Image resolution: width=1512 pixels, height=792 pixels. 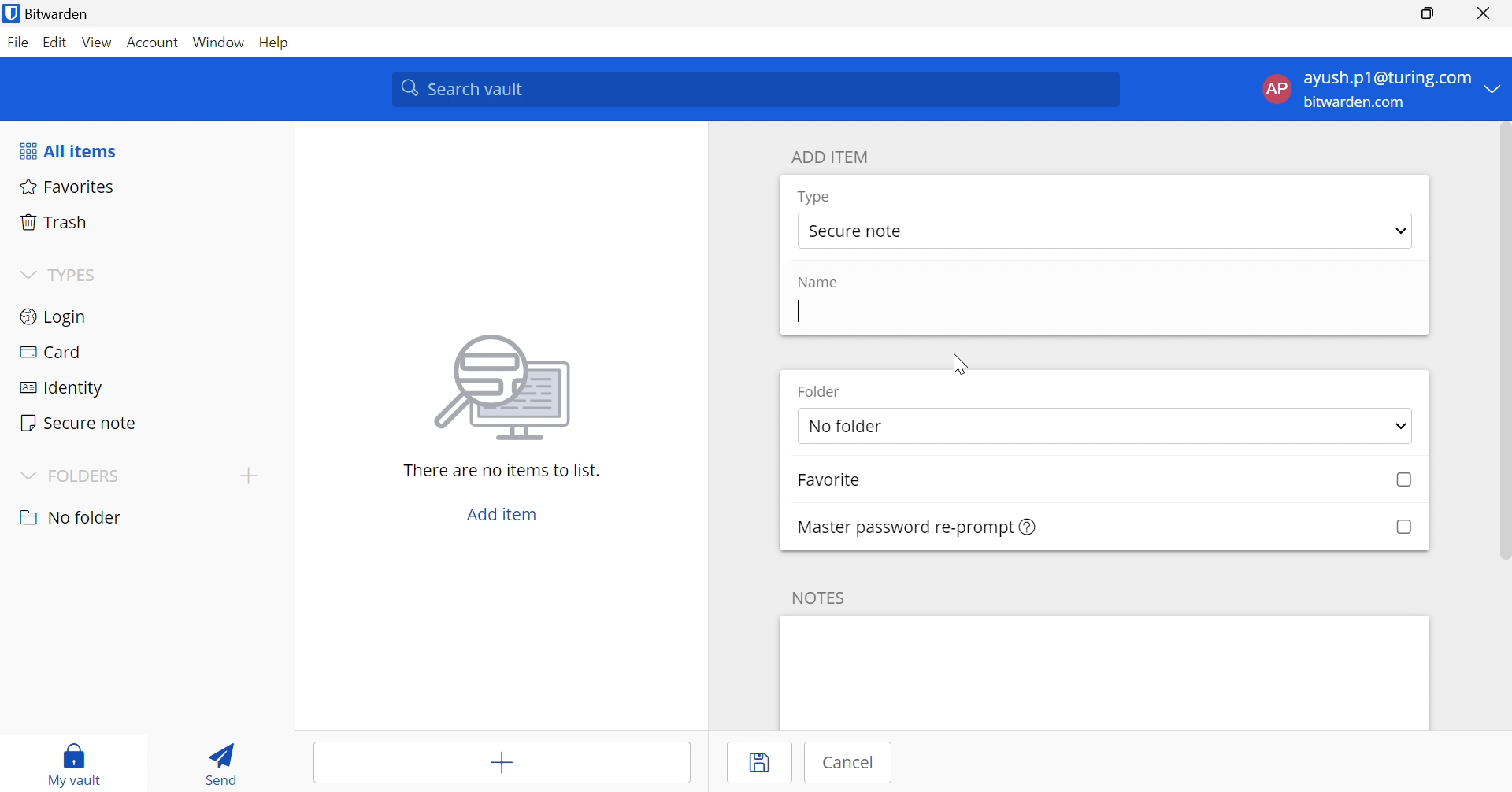 What do you see at coordinates (72, 475) in the screenshot?
I see `FOLDERS` at bounding box center [72, 475].